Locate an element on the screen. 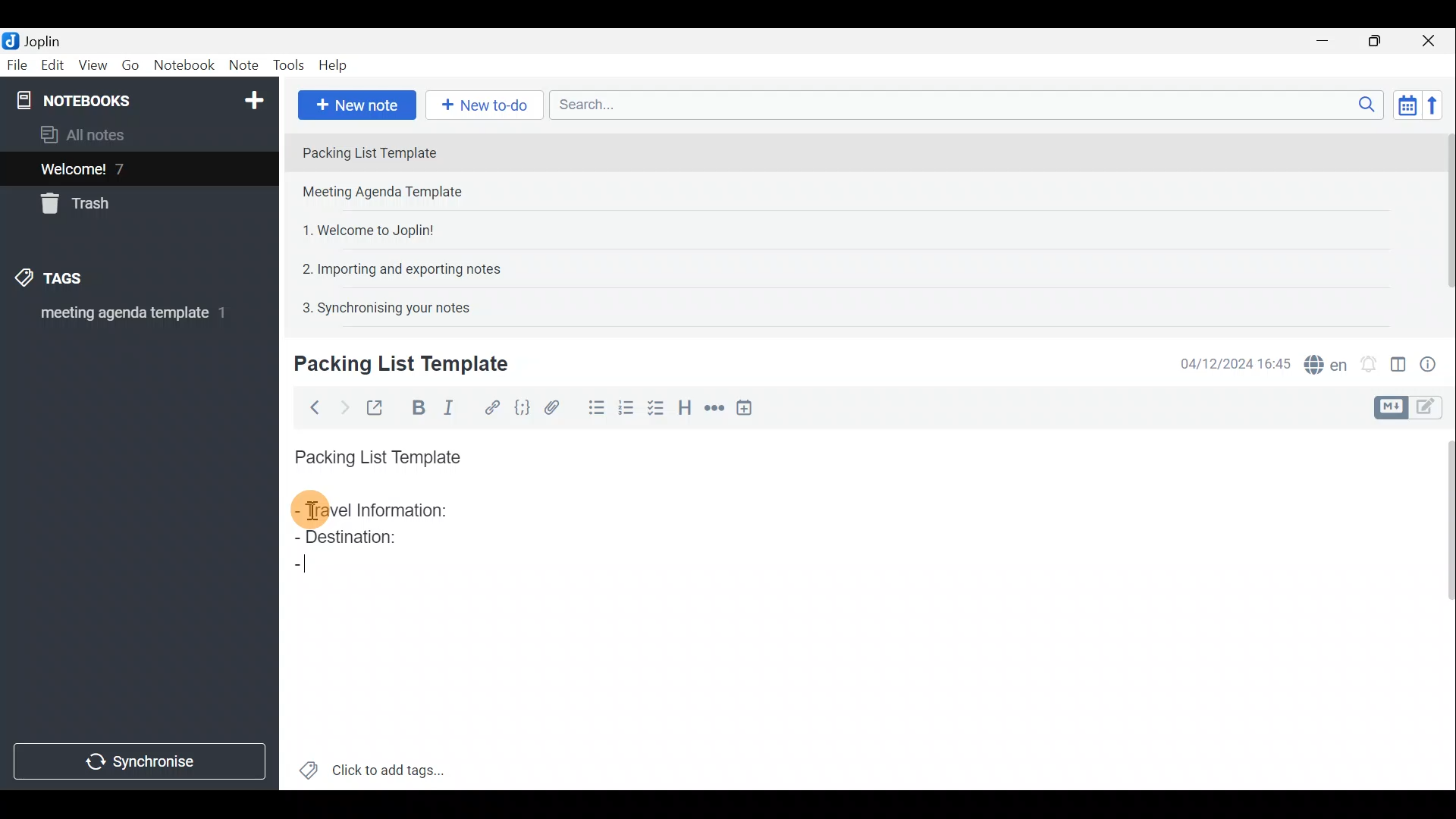 This screenshot has width=1456, height=819. Bulleted list is located at coordinates (593, 410).